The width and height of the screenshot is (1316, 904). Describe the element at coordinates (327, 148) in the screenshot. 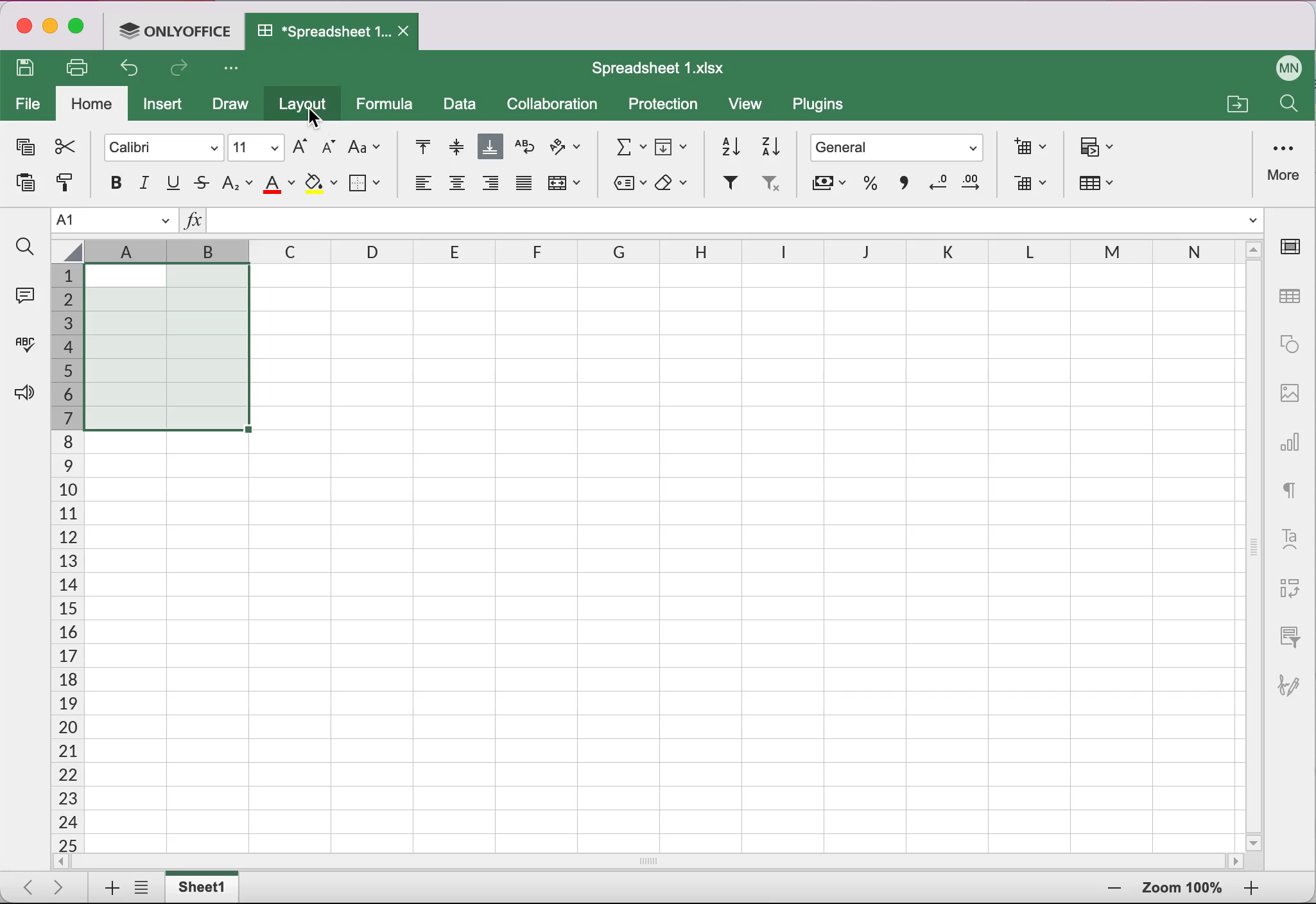

I see `decrement font size` at that location.